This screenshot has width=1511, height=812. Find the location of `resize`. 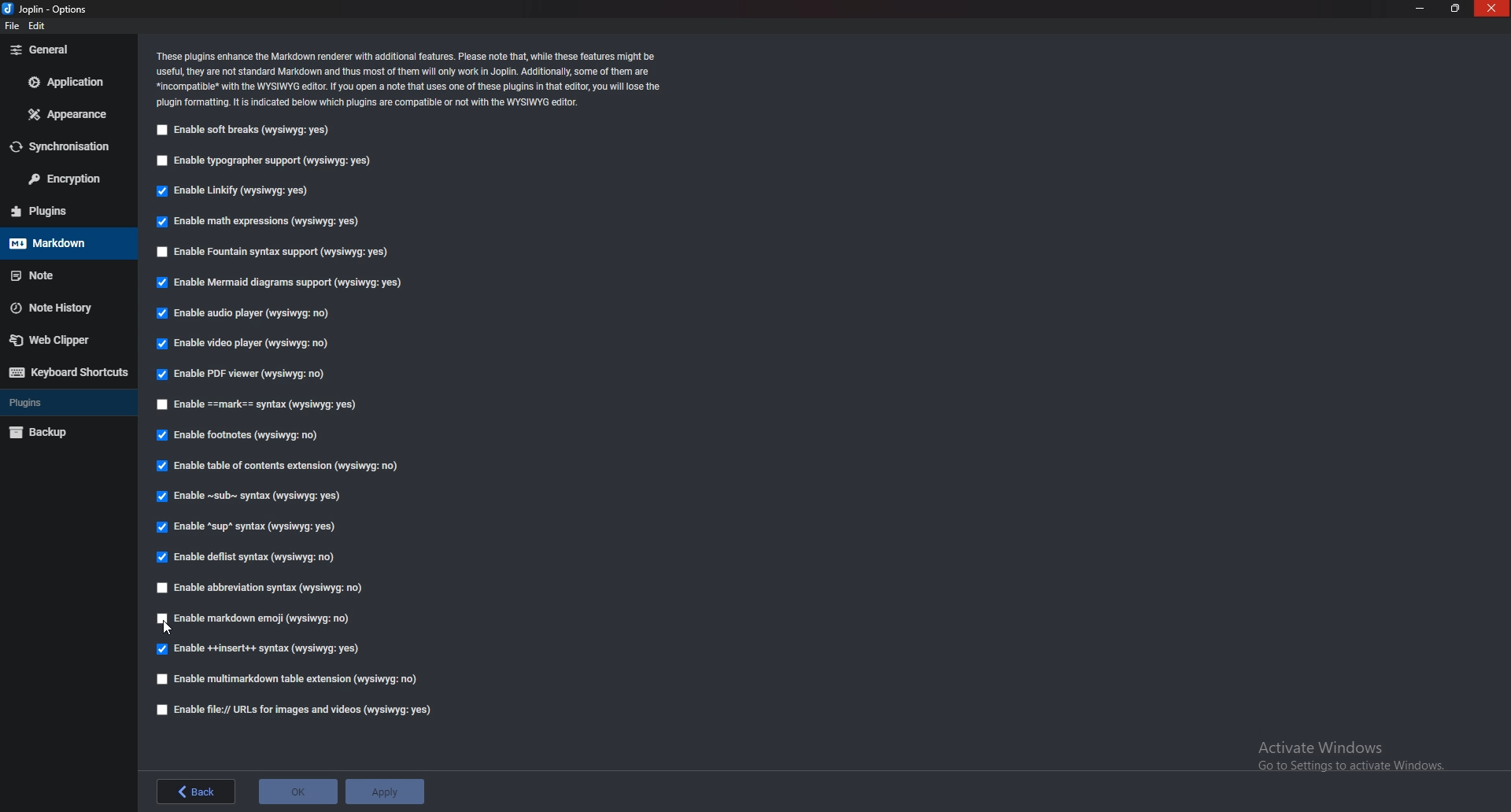

resize is located at coordinates (1455, 8).